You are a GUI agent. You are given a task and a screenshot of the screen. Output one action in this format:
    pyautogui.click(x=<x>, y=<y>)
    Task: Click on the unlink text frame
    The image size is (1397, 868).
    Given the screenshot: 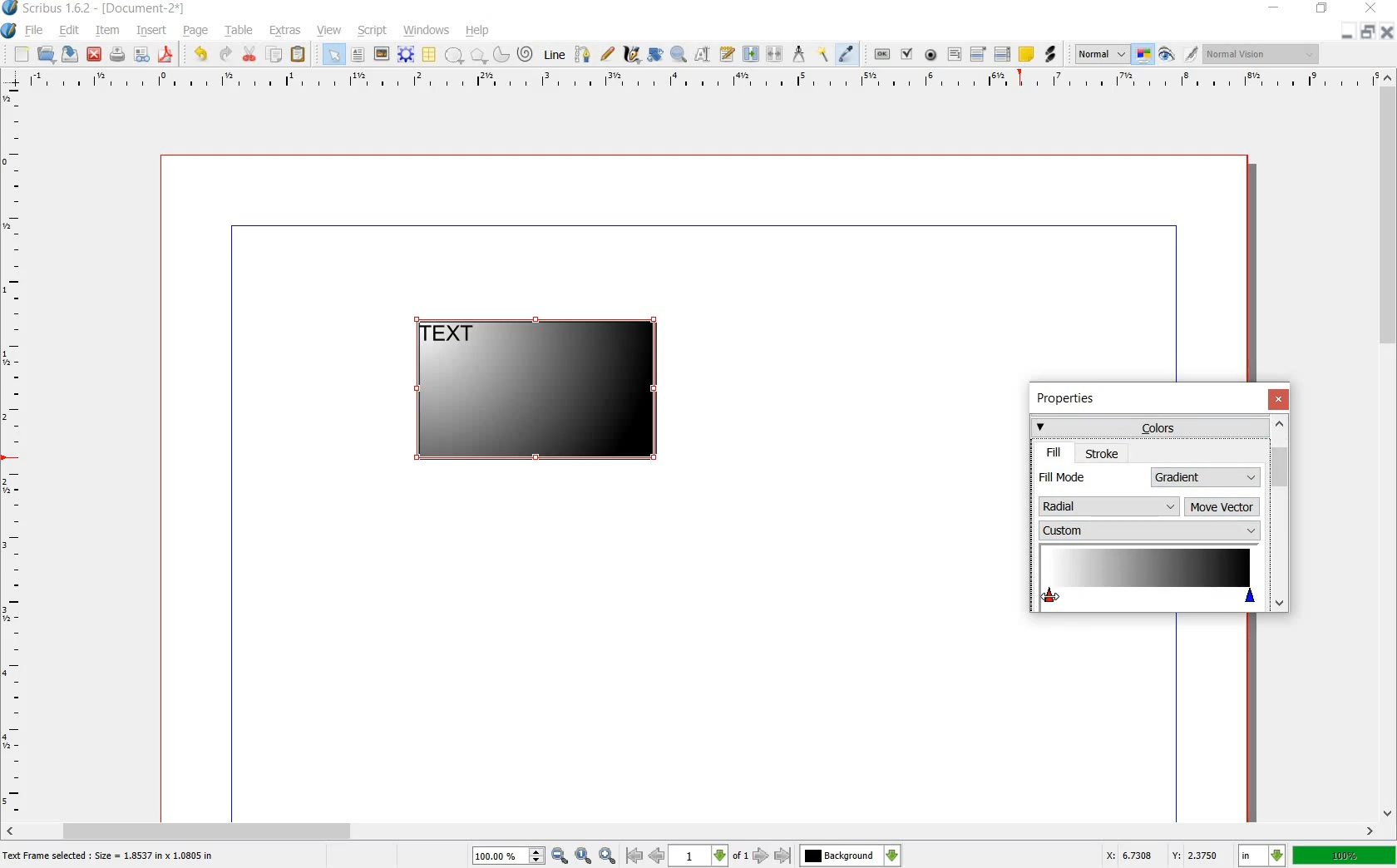 What is the action you would take?
    pyautogui.click(x=776, y=55)
    